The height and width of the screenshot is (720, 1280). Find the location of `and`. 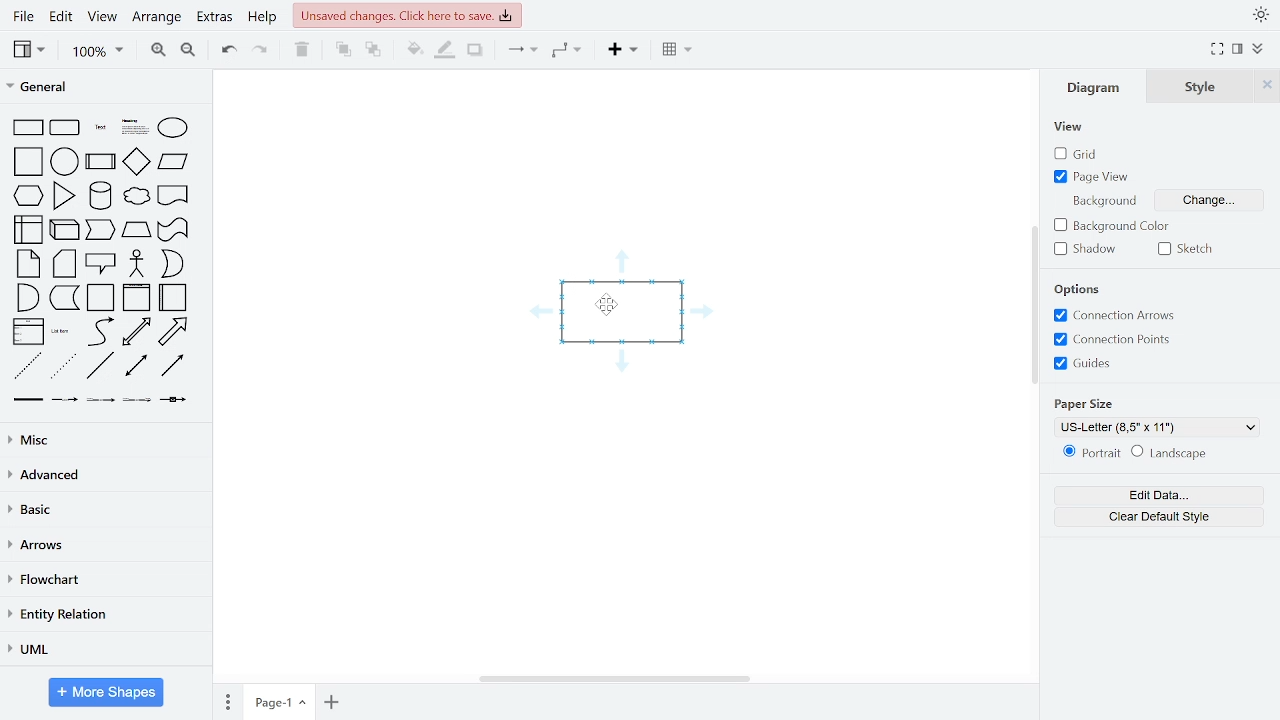

and is located at coordinates (27, 298).